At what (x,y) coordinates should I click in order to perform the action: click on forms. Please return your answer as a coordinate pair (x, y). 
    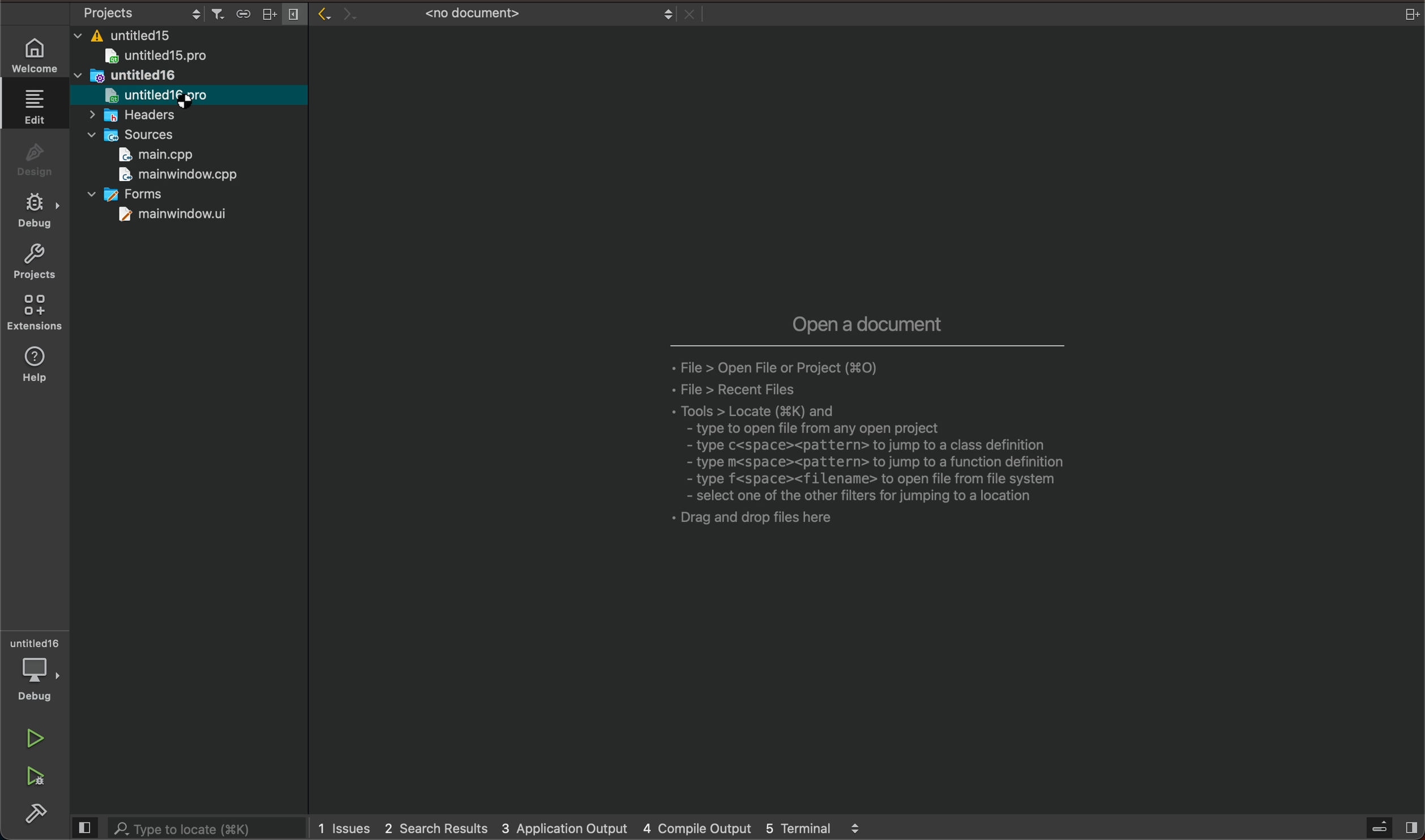
    Looking at the image, I should click on (136, 192).